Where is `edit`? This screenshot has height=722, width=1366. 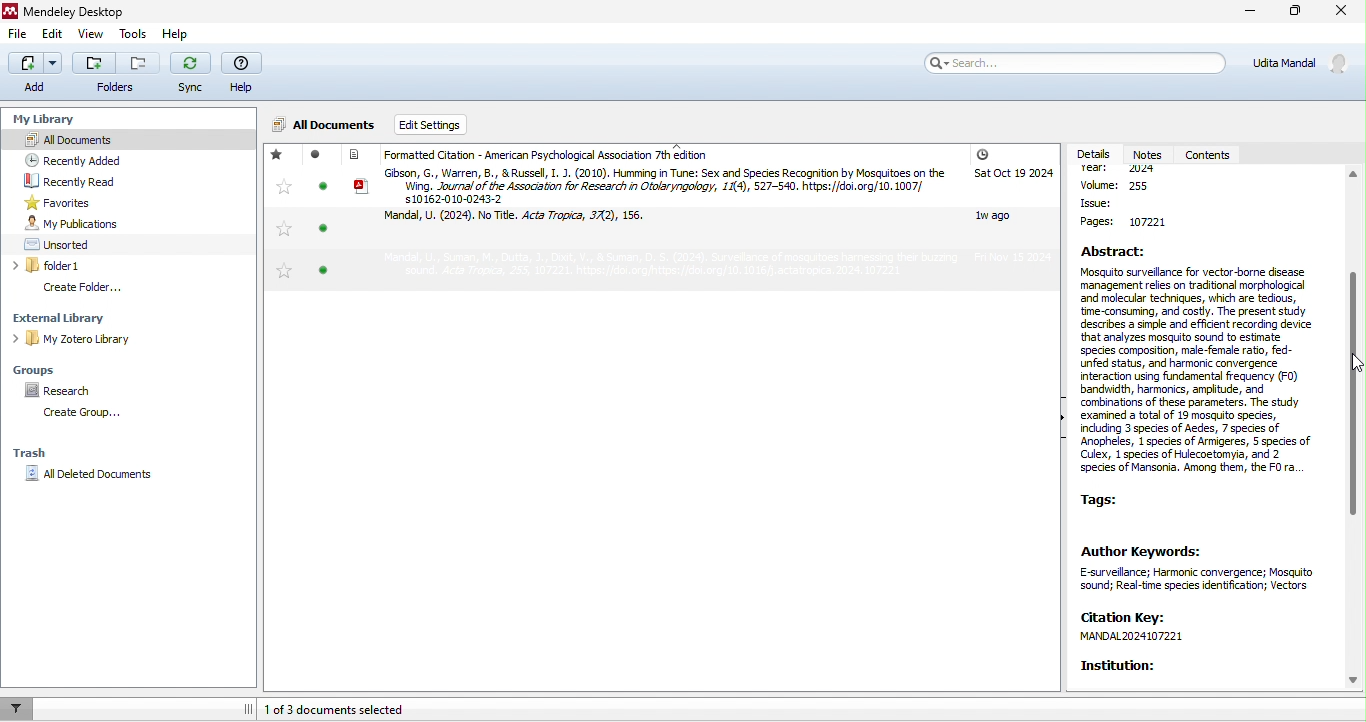
edit is located at coordinates (53, 35).